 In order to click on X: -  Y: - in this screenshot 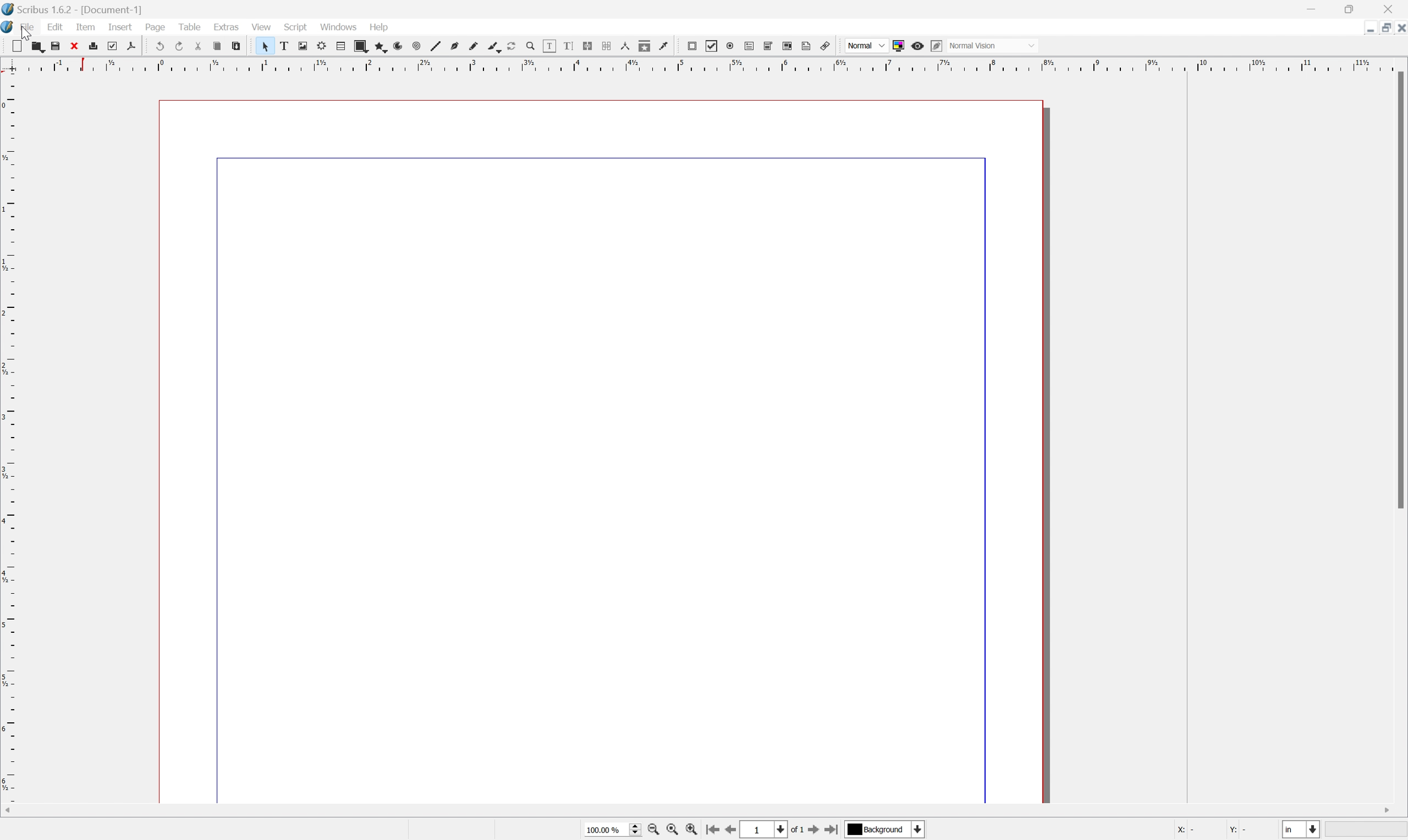, I will do `click(1212, 830)`.